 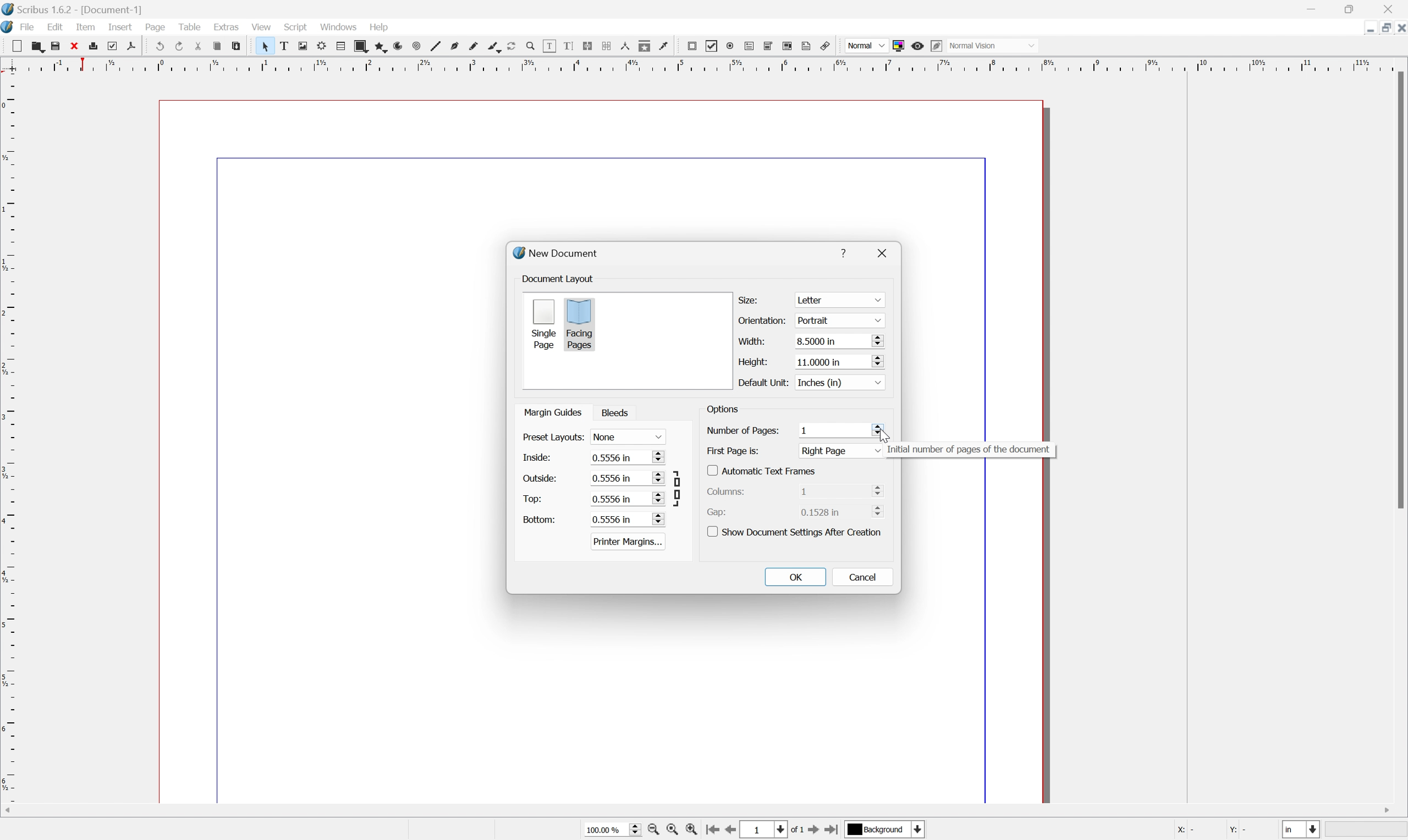 I want to click on Scribus icon, so click(x=9, y=28).